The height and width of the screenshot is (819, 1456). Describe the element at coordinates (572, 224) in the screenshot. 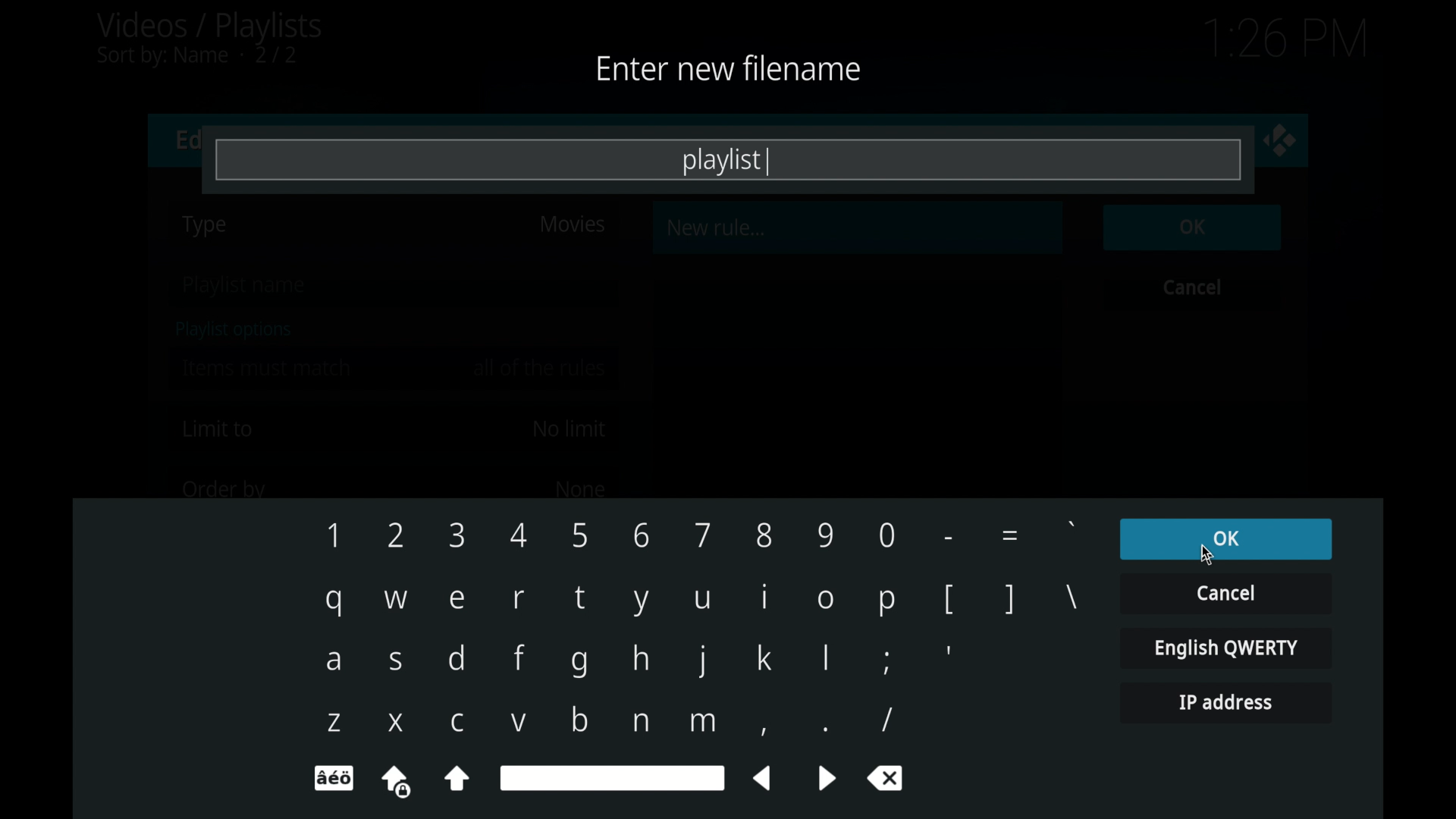

I see `movies` at that location.